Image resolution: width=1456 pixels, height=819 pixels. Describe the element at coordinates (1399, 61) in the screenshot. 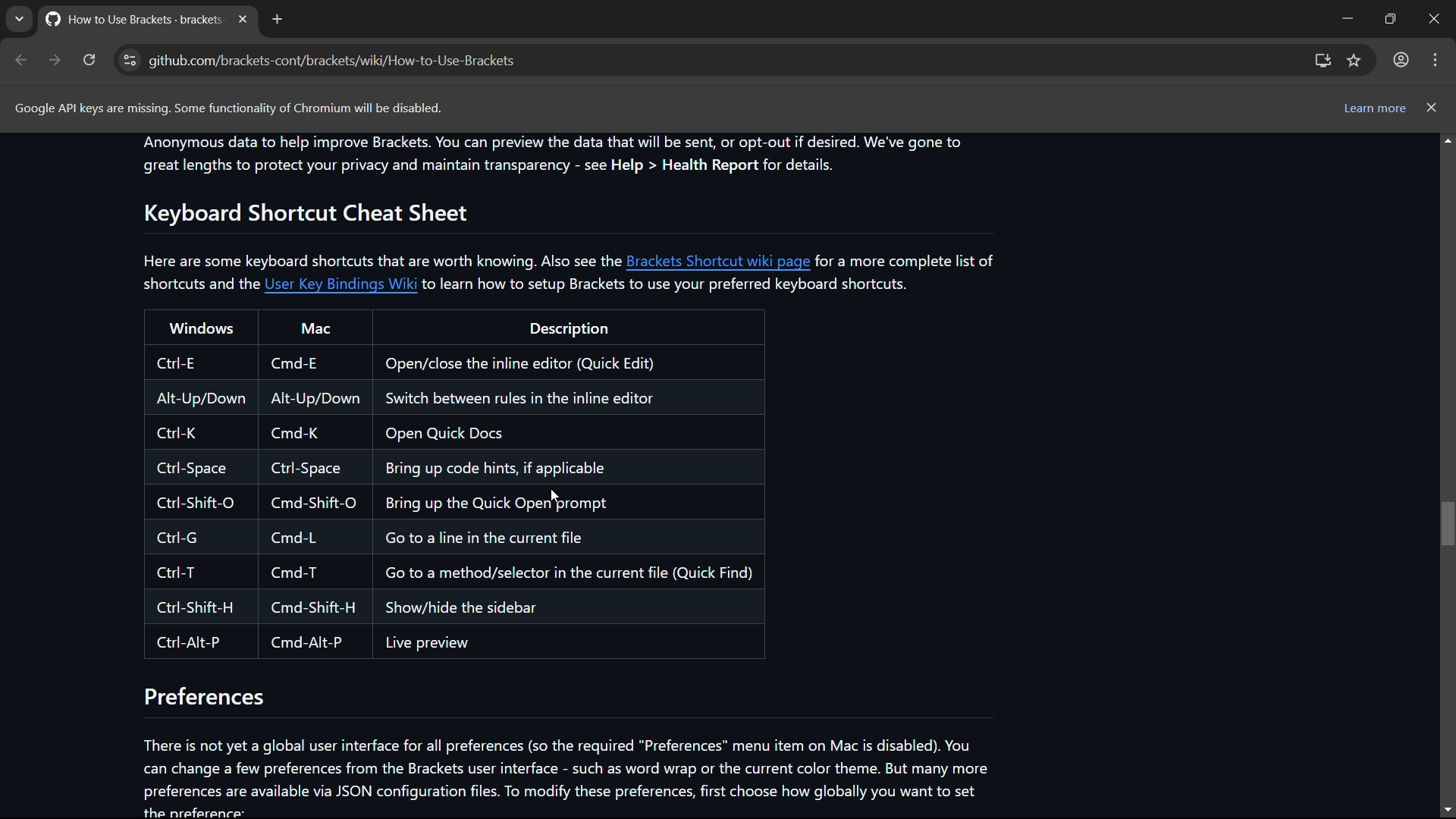

I see `profile` at that location.